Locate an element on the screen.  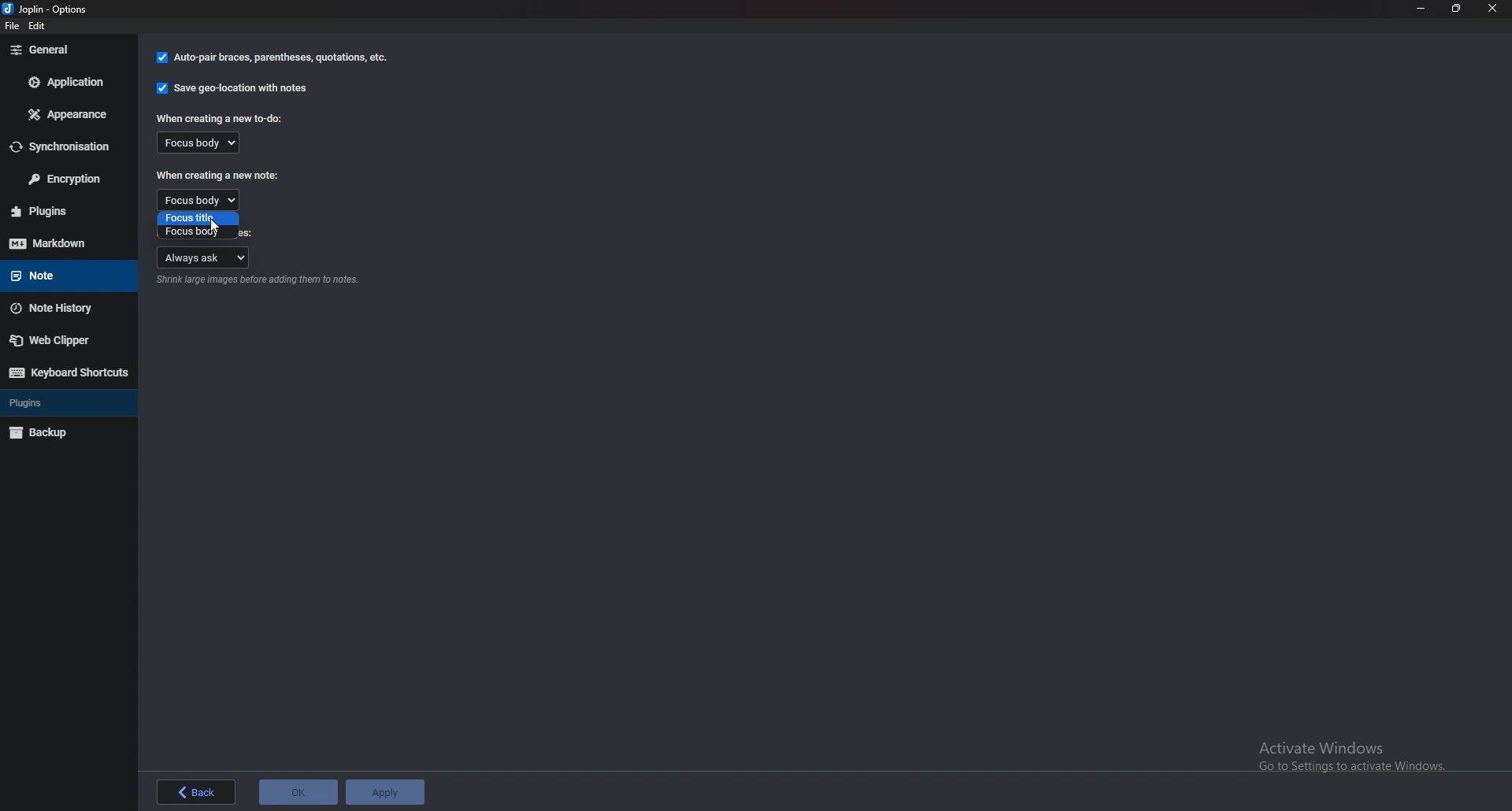
Activate windows pop up is located at coordinates (1355, 757).